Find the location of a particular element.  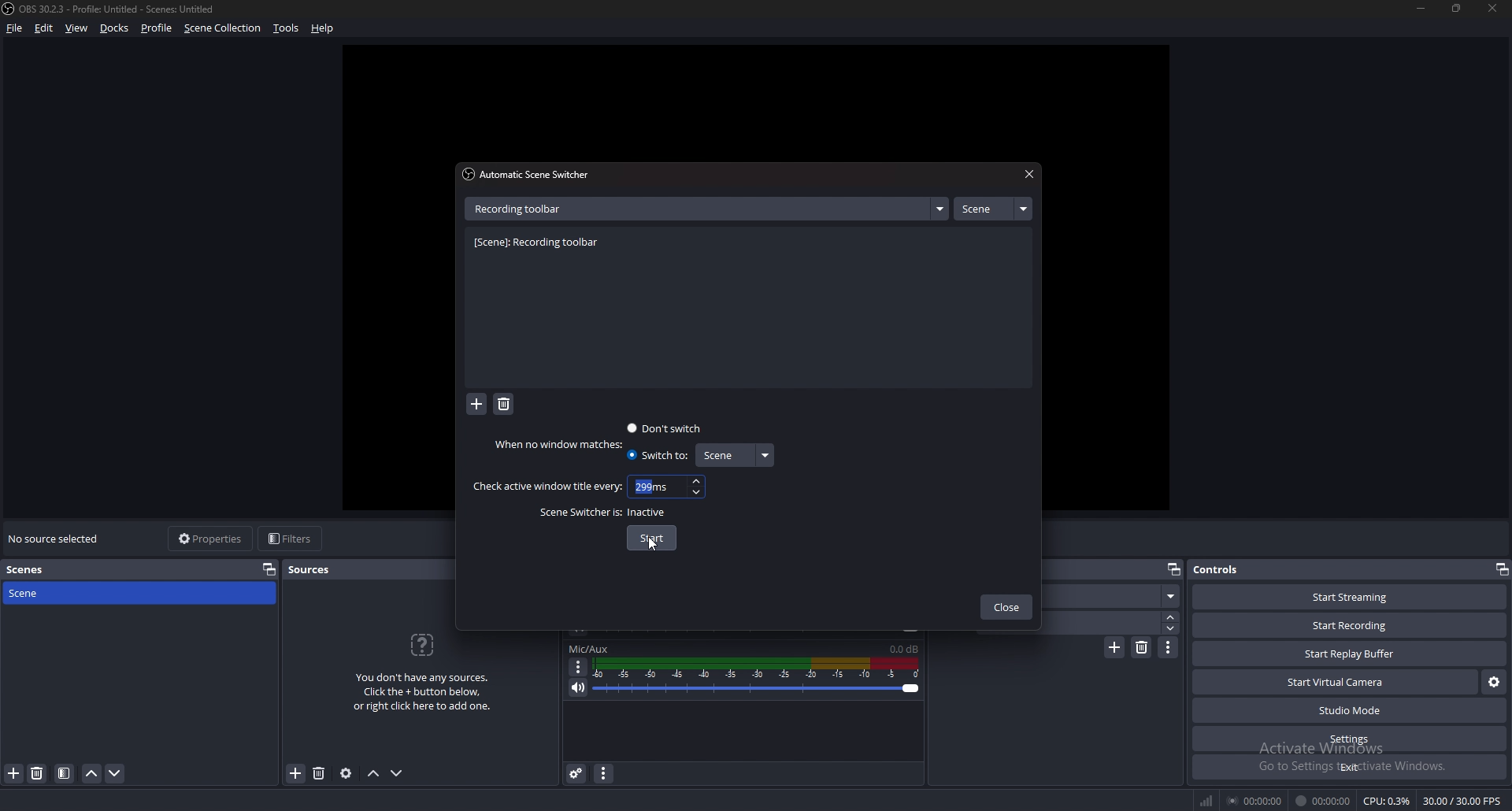

move scene down is located at coordinates (116, 773).